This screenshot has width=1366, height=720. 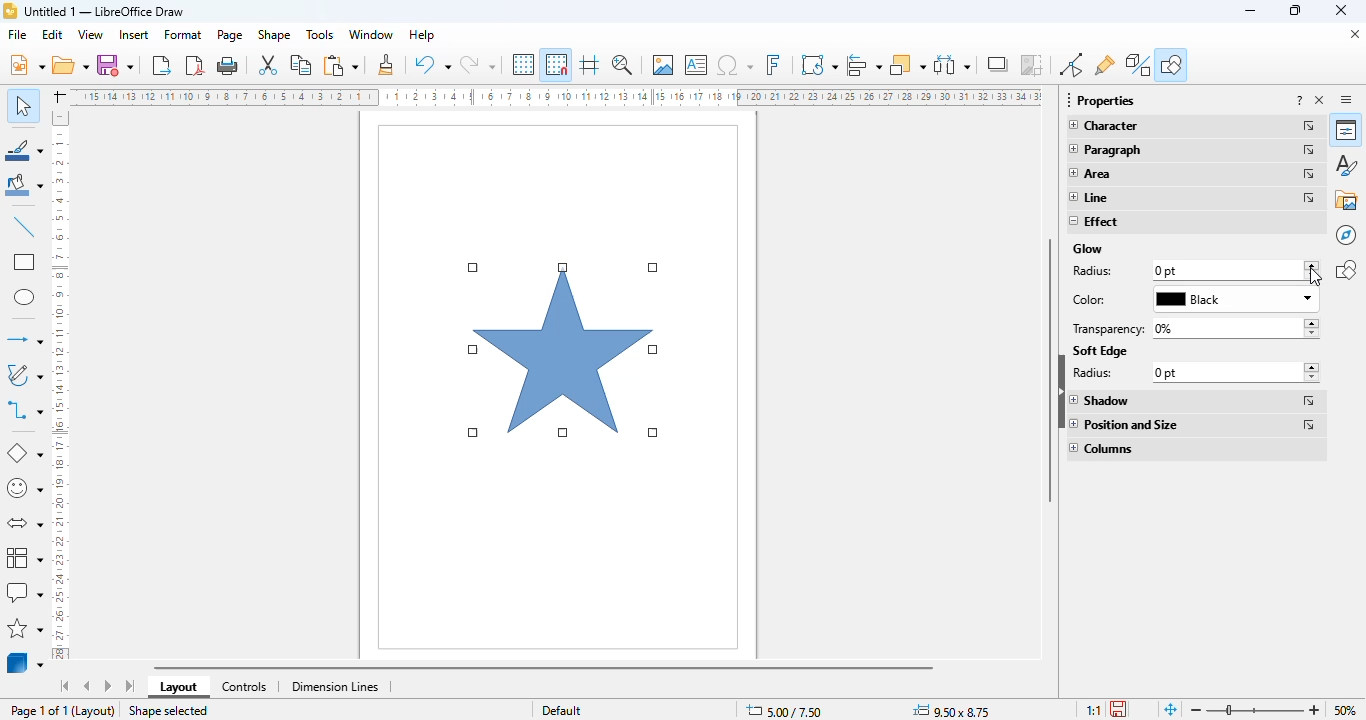 What do you see at coordinates (24, 150) in the screenshot?
I see `line color` at bounding box center [24, 150].